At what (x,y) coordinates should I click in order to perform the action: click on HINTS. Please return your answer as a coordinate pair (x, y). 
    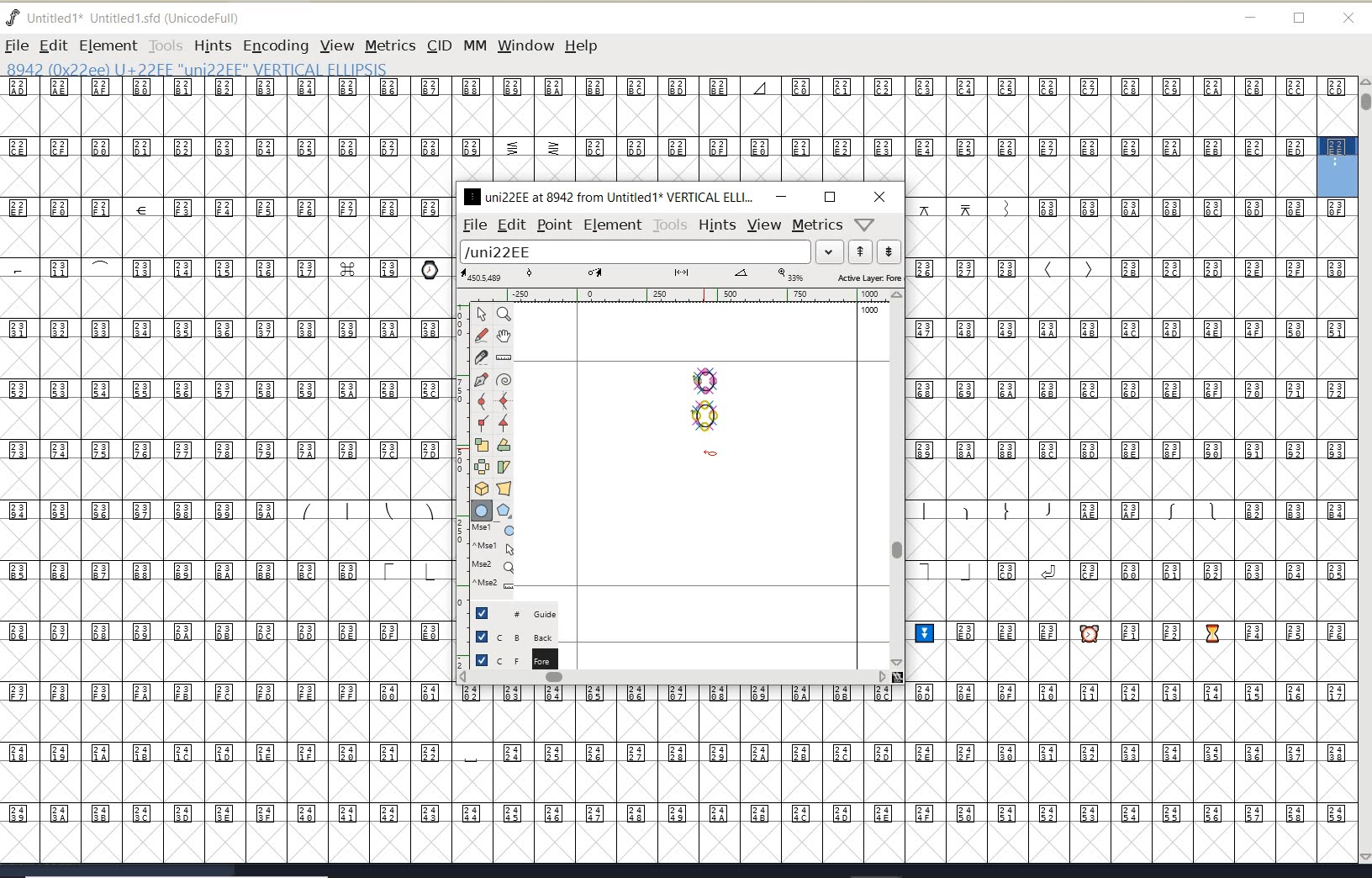
    Looking at the image, I should click on (212, 46).